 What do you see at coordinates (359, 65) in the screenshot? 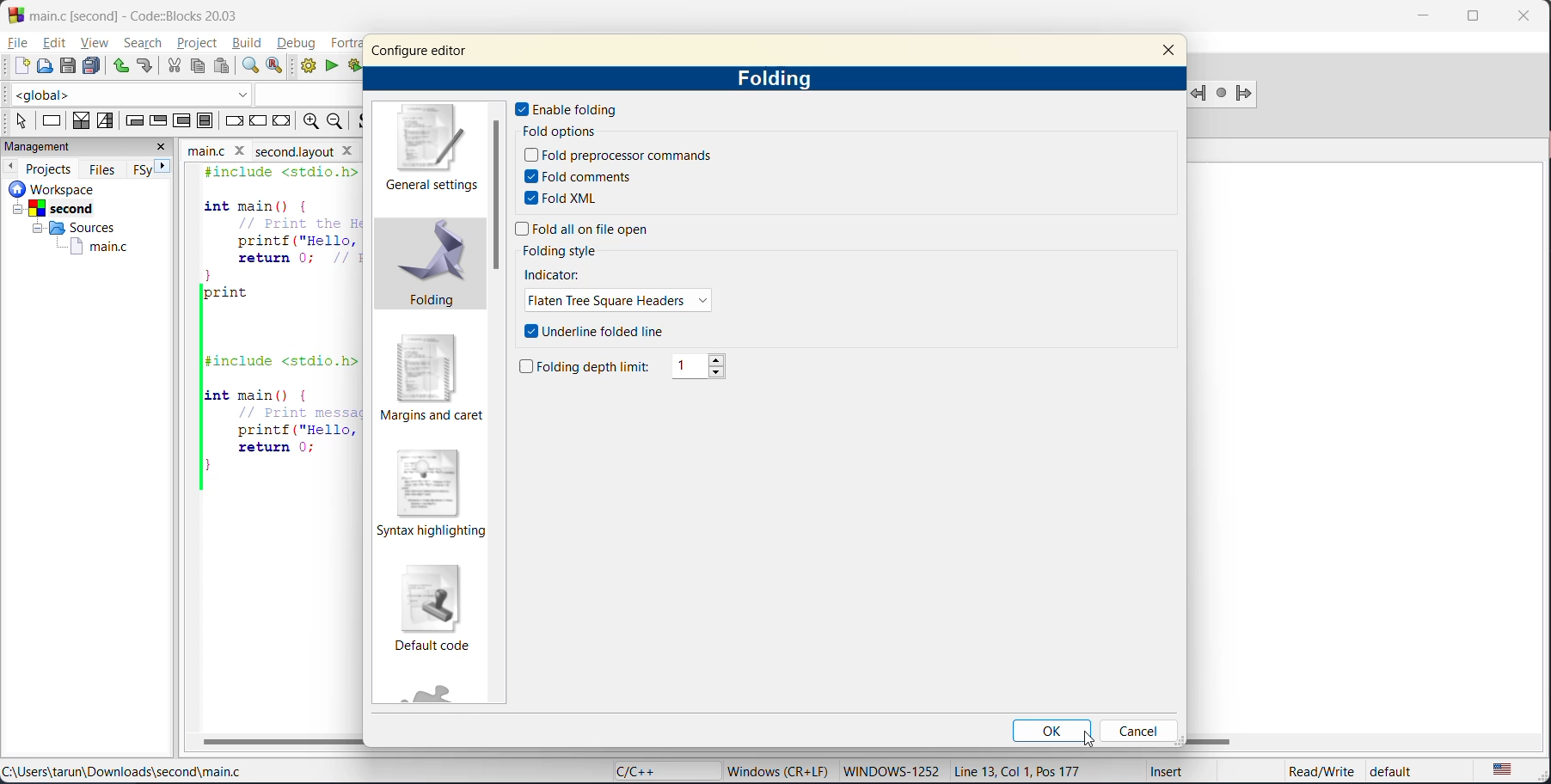
I see `build and run` at bounding box center [359, 65].